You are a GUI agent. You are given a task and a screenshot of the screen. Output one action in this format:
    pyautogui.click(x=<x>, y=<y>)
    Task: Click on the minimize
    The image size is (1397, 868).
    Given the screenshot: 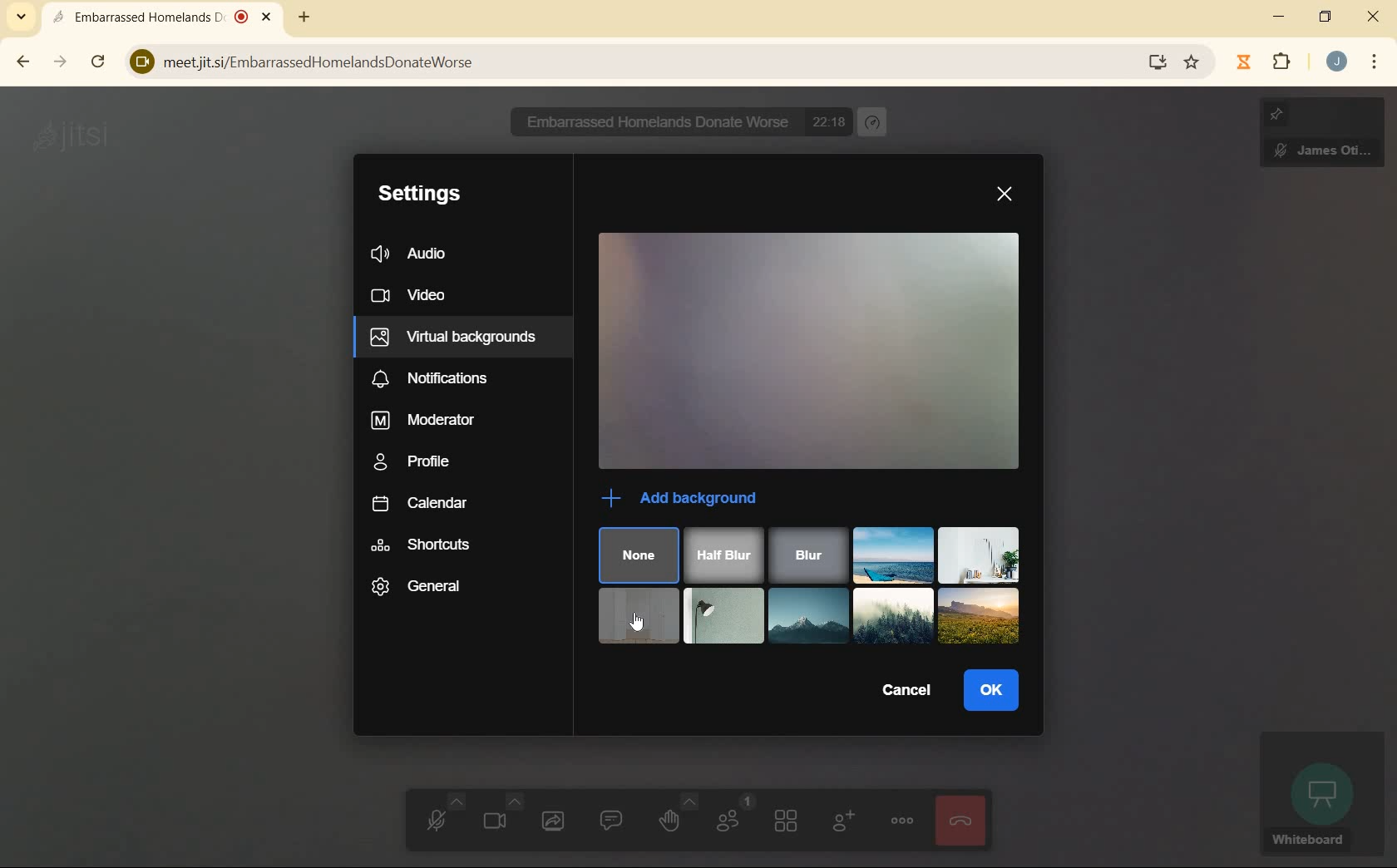 What is the action you would take?
    pyautogui.click(x=1281, y=16)
    